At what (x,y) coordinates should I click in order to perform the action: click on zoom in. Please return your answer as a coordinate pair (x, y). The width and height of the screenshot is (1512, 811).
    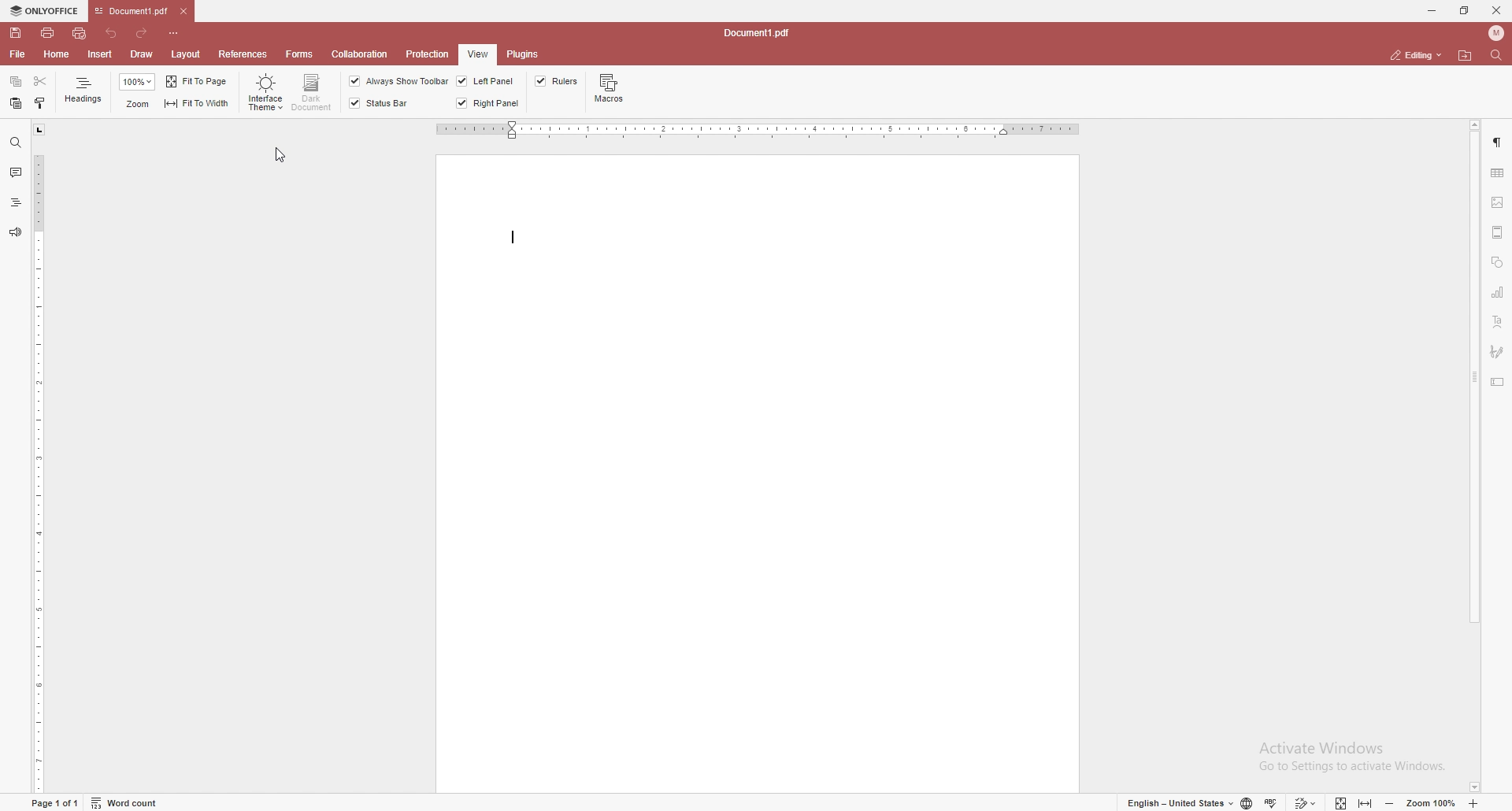
    Looking at the image, I should click on (1476, 802).